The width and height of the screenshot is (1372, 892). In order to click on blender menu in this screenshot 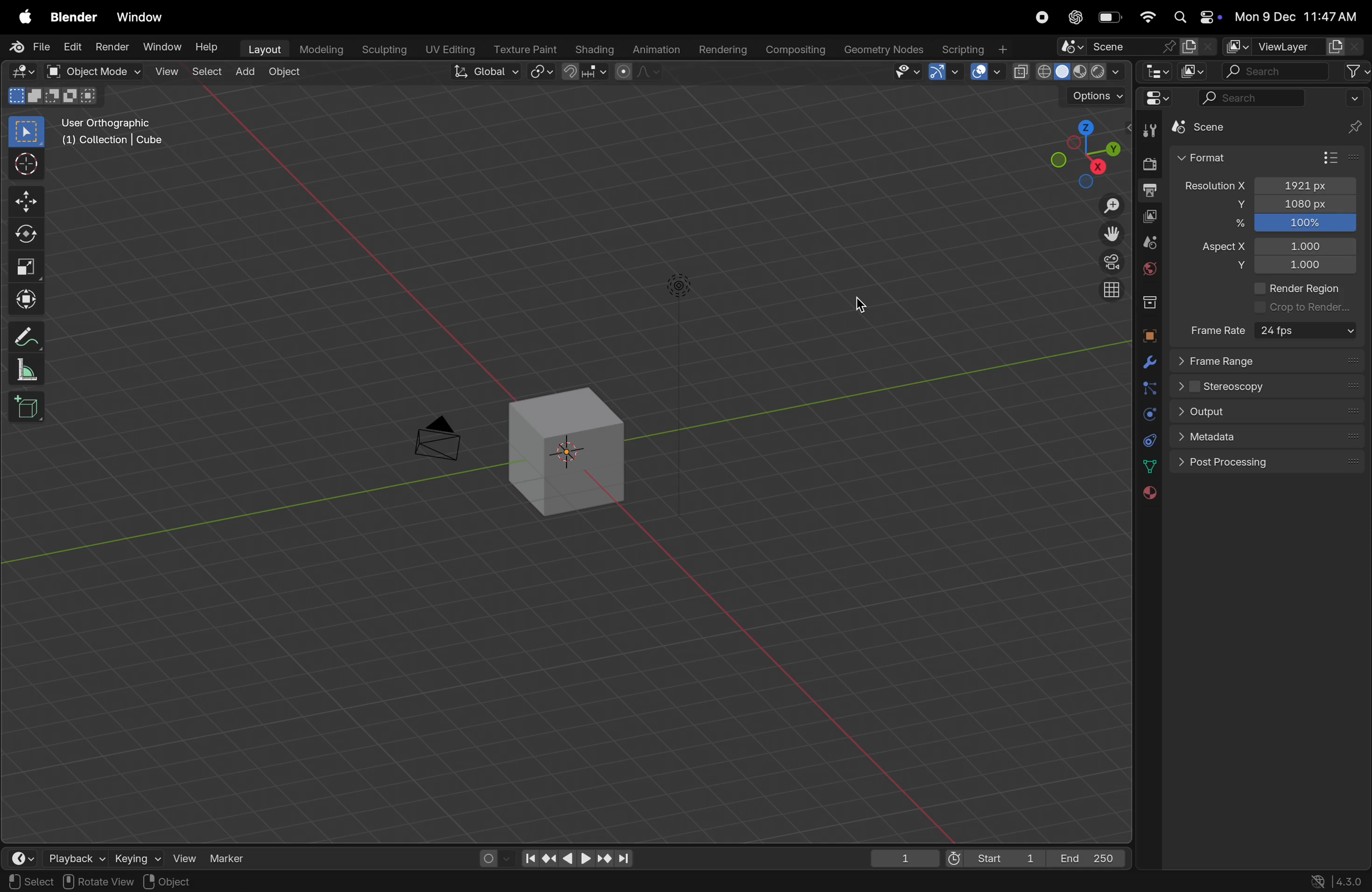, I will do `click(77, 19)`.